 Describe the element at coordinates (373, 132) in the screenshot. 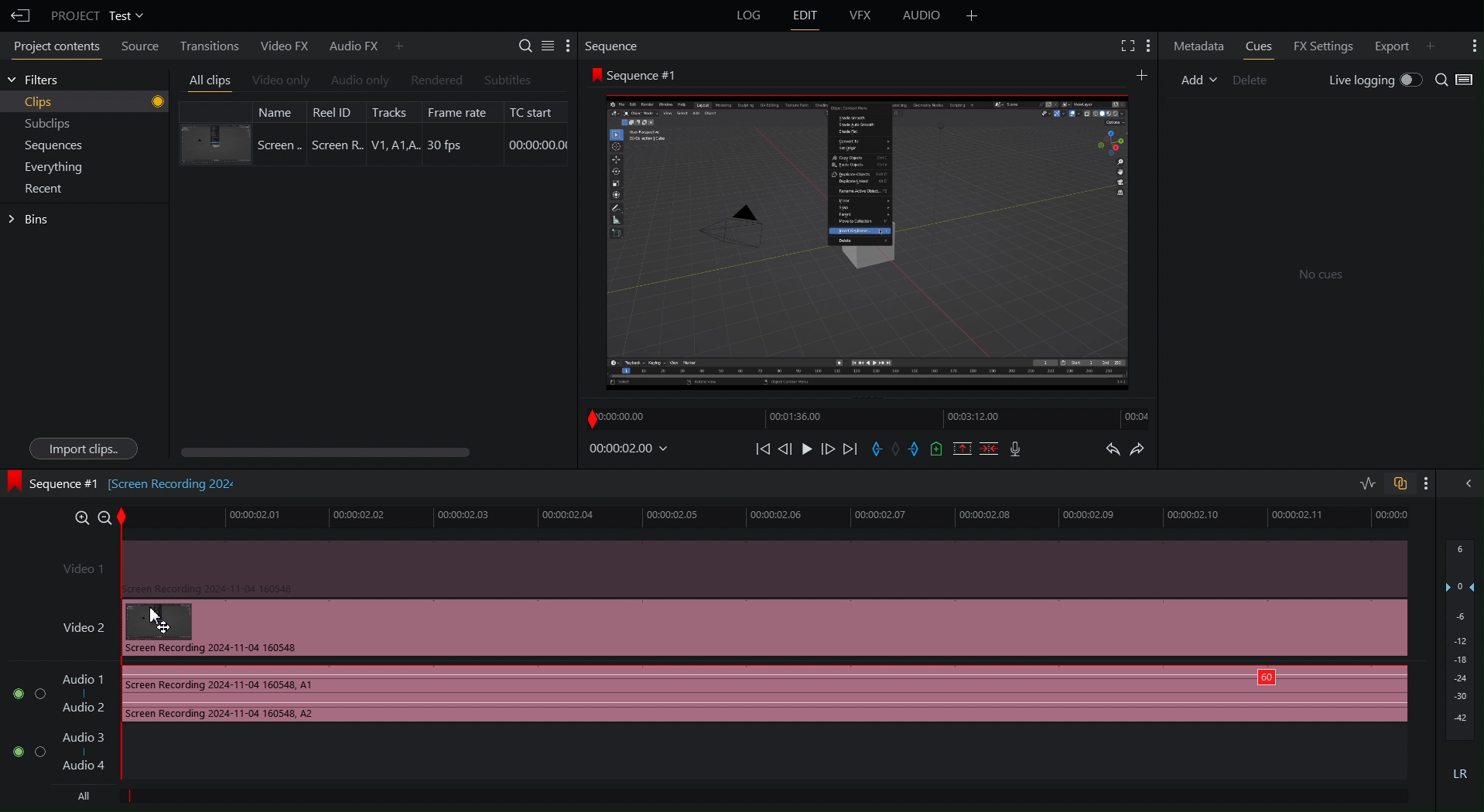

I see `Clip` at that location.